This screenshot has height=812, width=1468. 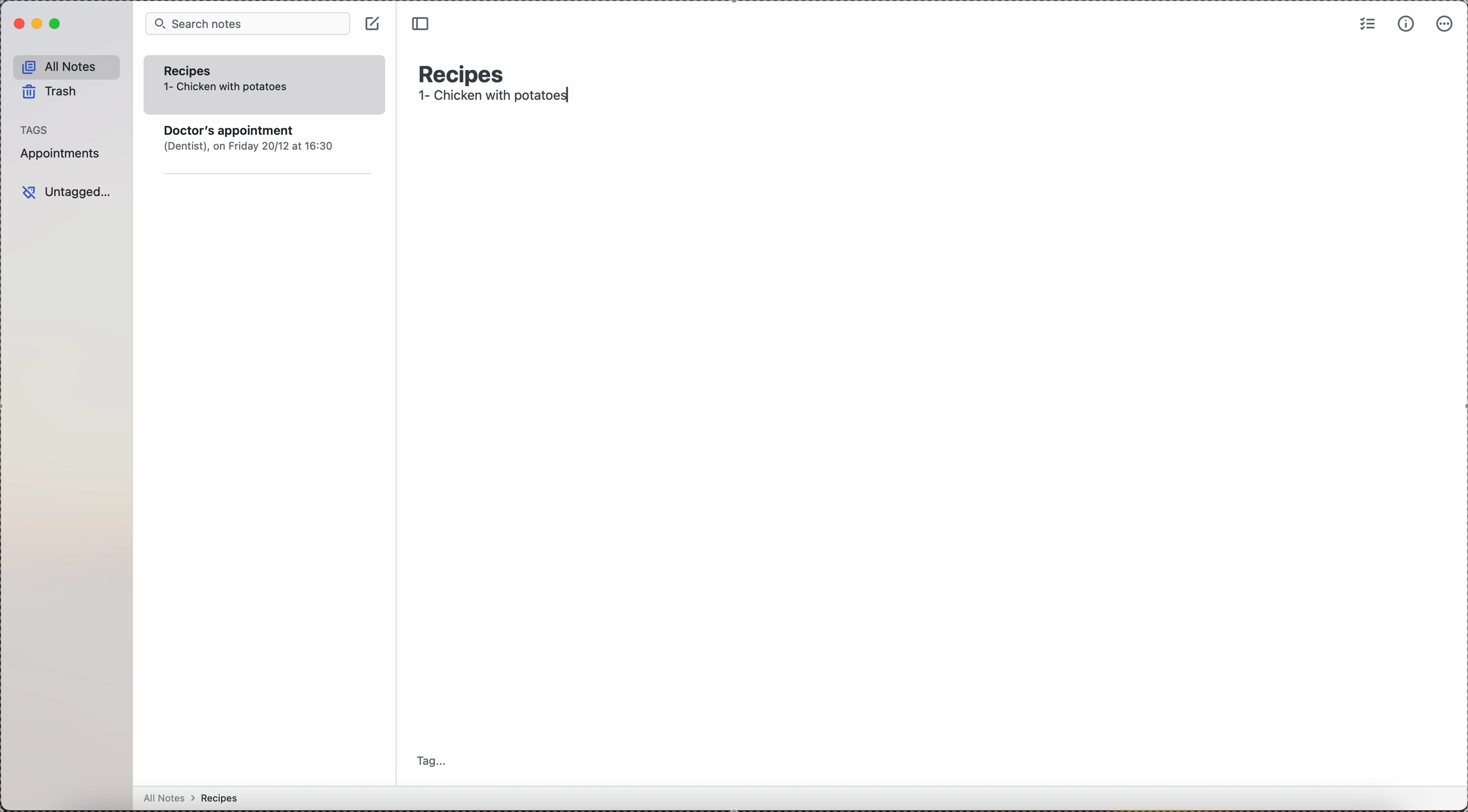 What do you see at coordinates (67, 66) in the screenshot?
I see `all notes` at bounding box center [67, 66].